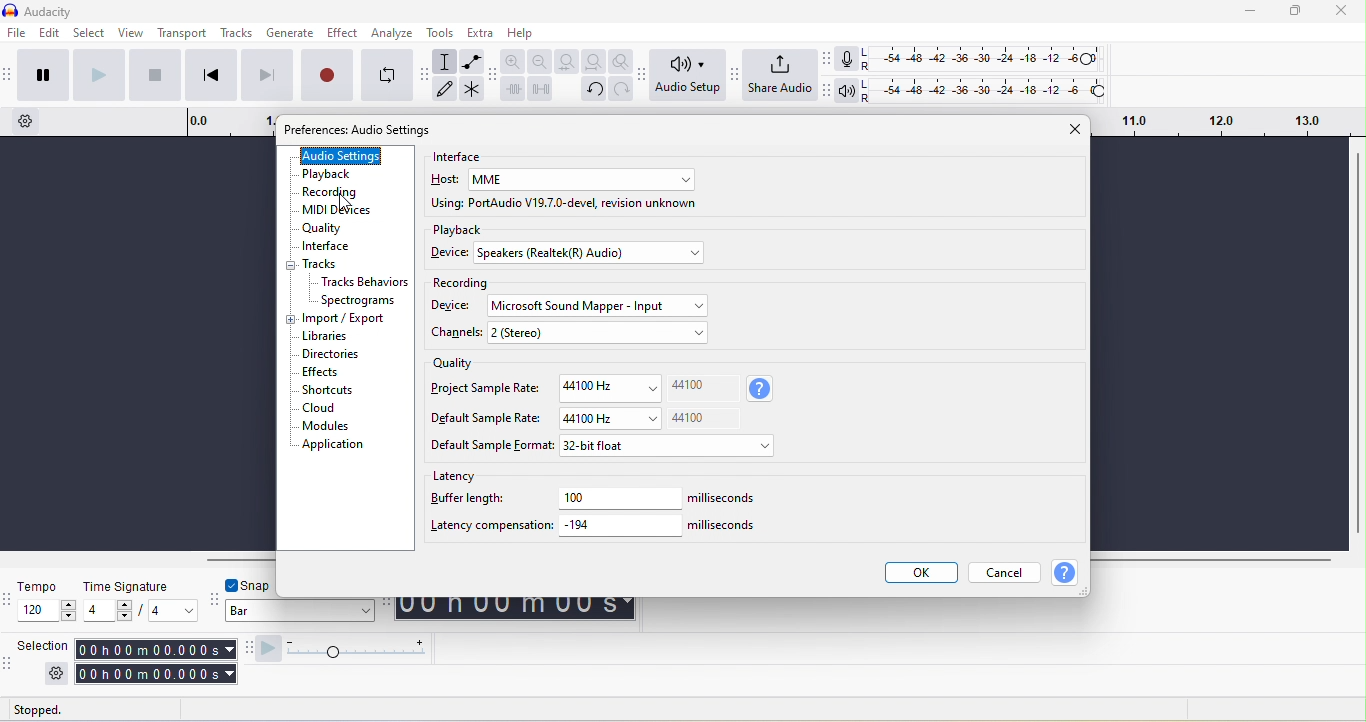 Image resolution: width=1366 pixels, height=722 pixels. Describe the element at coordinates (324, 247) in the screenshot. I see `interface` at that location.